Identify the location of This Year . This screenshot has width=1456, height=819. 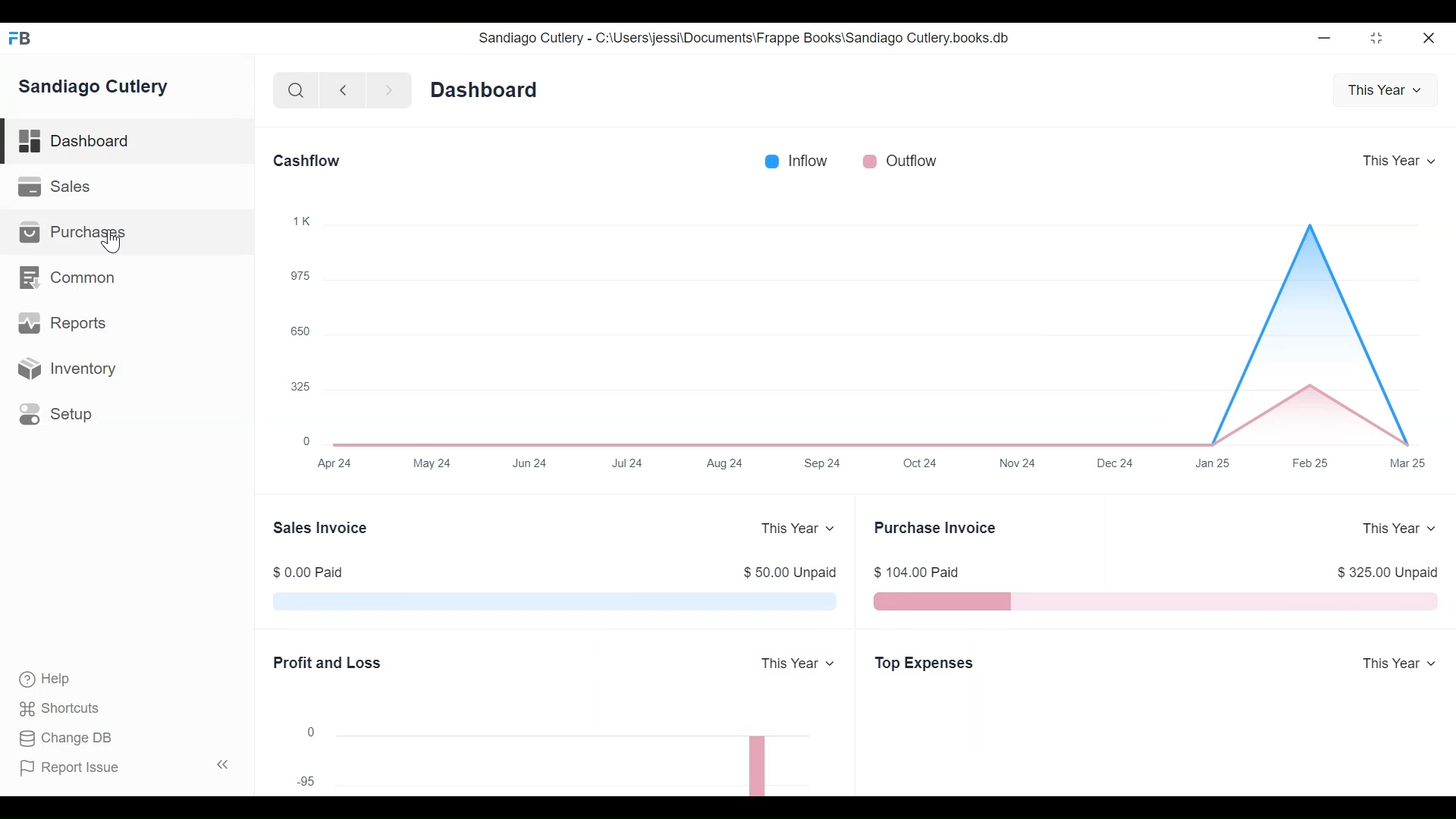
(798, 661).